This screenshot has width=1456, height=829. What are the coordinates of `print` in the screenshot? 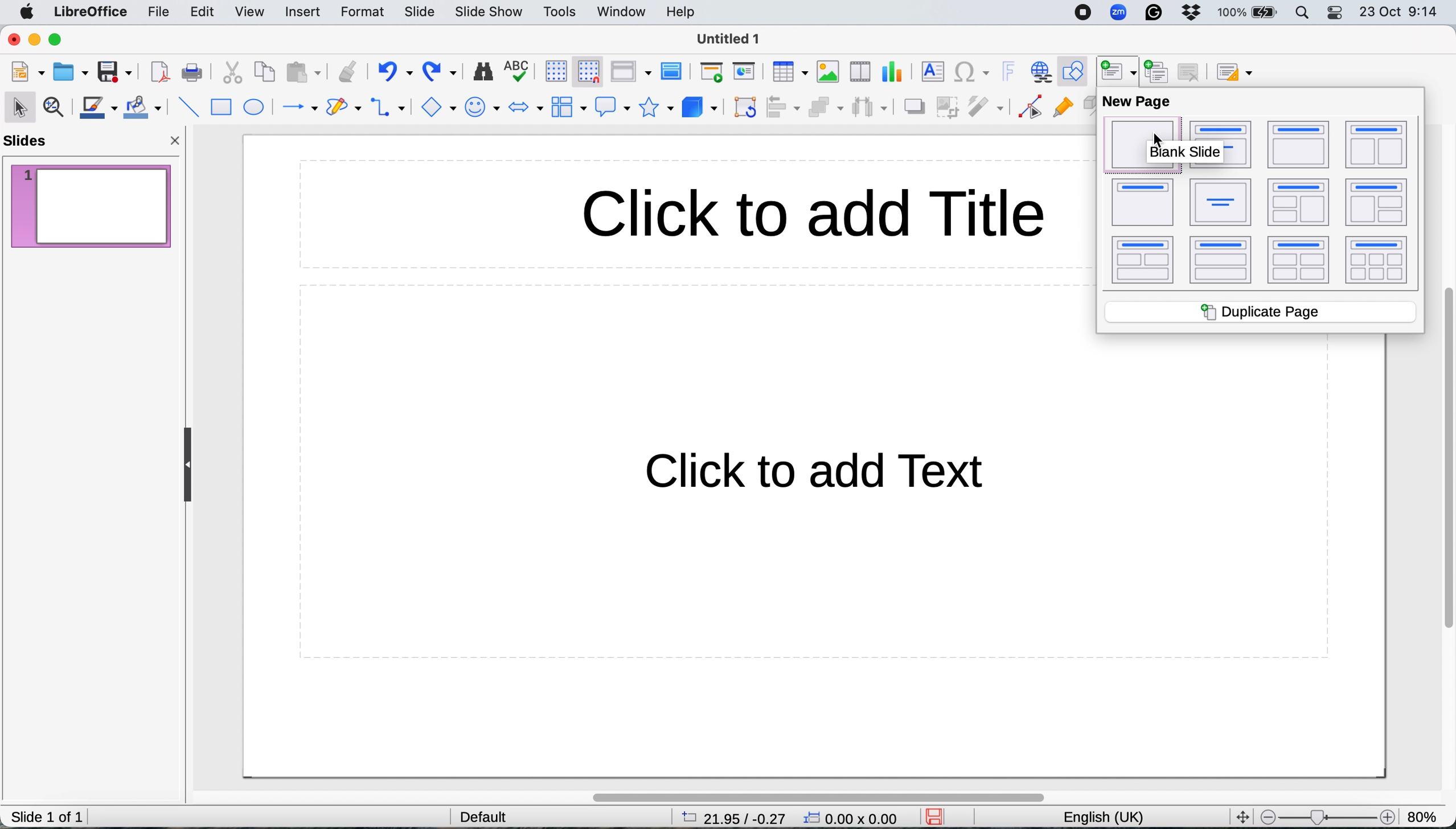 It's located at (195, 74).